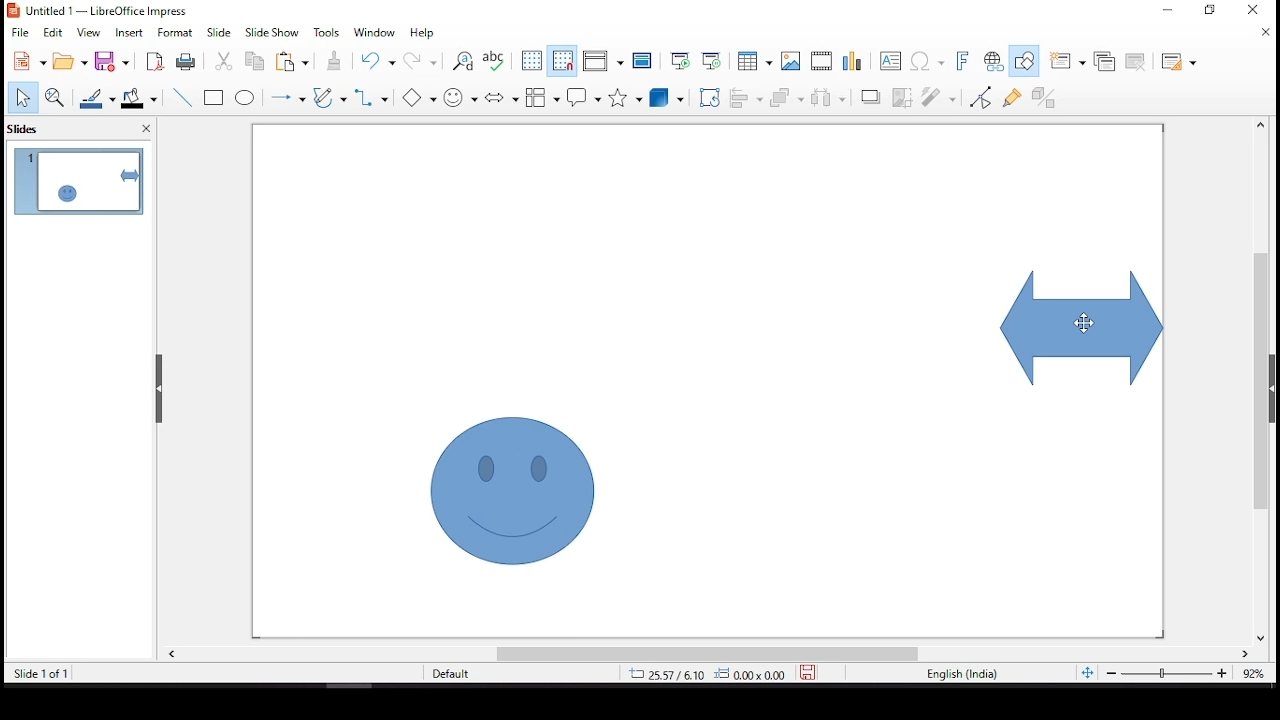  What do you see at coordinates (378, 33) in the screenshot?
I see `window` at bounding box center [378, 33].